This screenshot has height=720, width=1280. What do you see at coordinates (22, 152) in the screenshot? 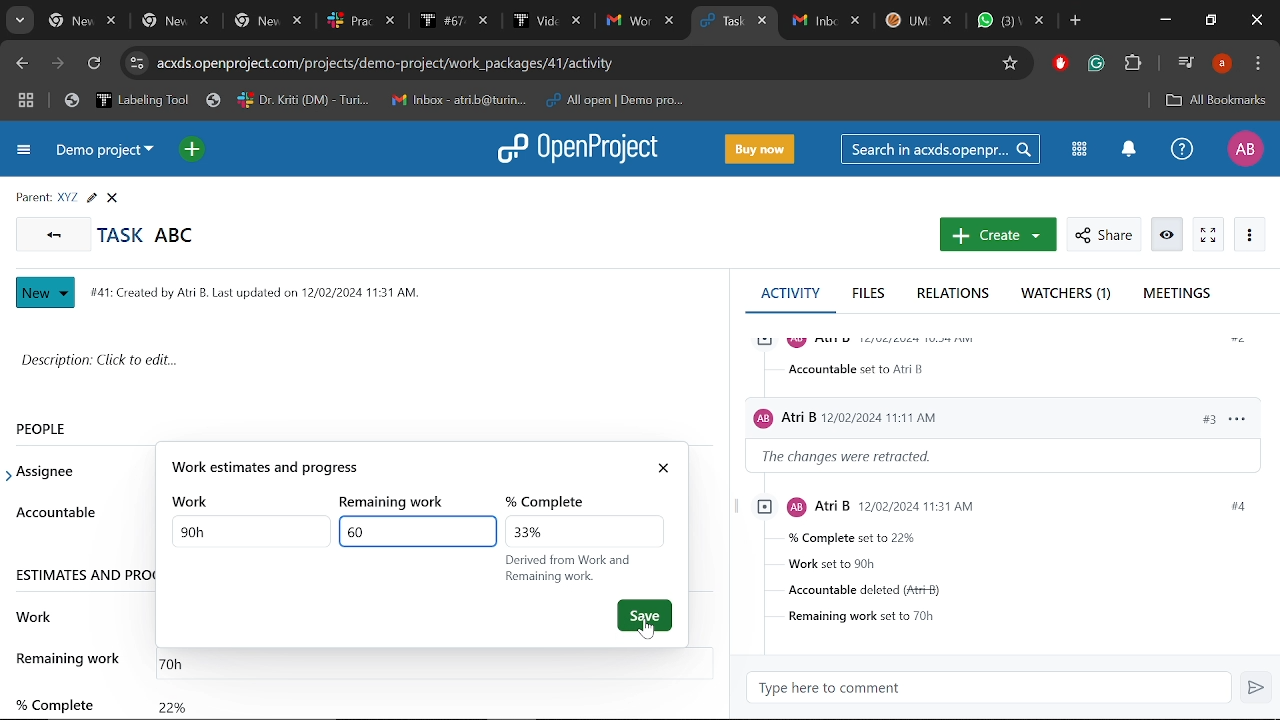
I see `Expand project menu` at bounding box center [22, 152].